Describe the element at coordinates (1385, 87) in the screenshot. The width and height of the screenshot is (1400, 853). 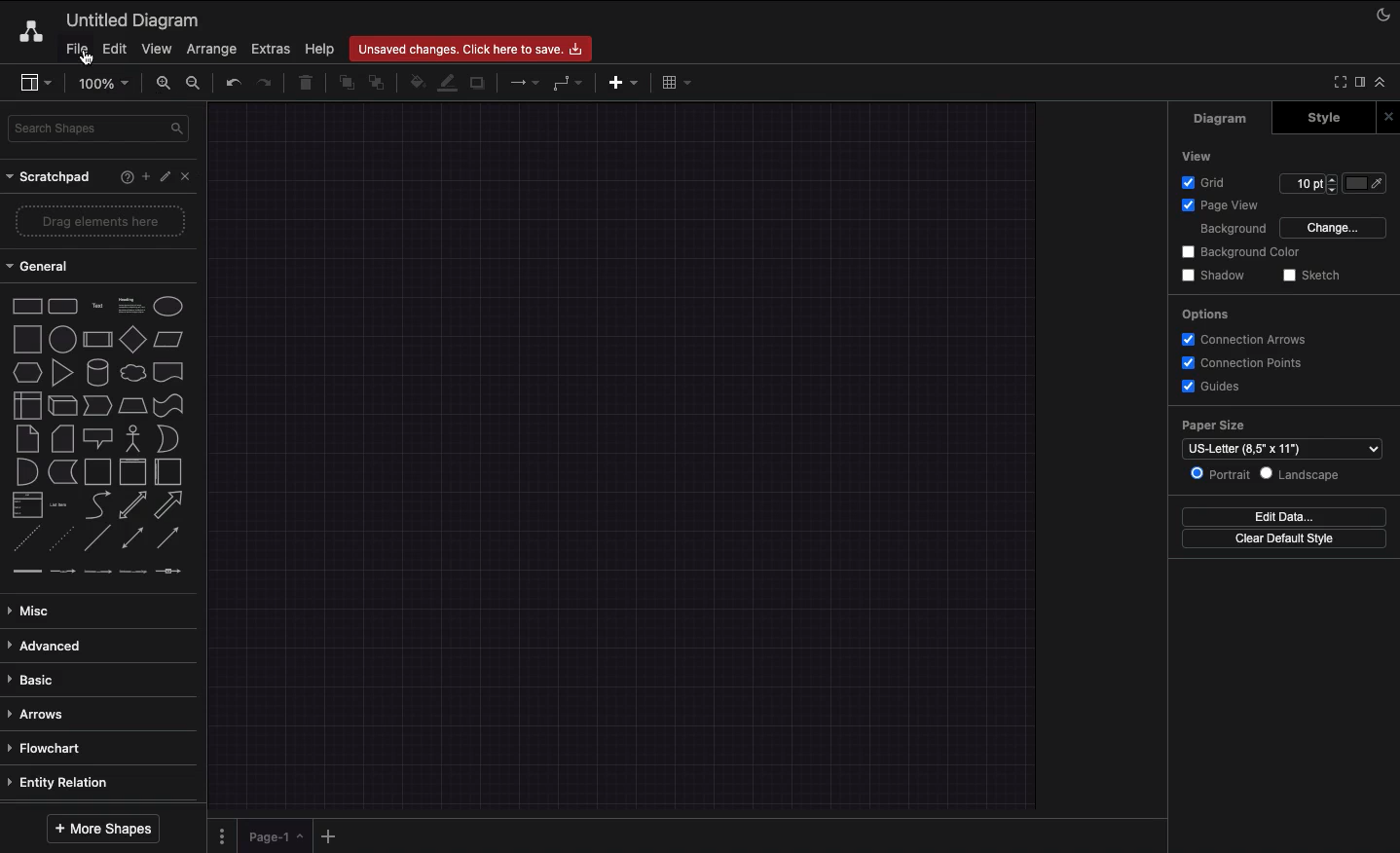
I see `Collapse expand` at that location.